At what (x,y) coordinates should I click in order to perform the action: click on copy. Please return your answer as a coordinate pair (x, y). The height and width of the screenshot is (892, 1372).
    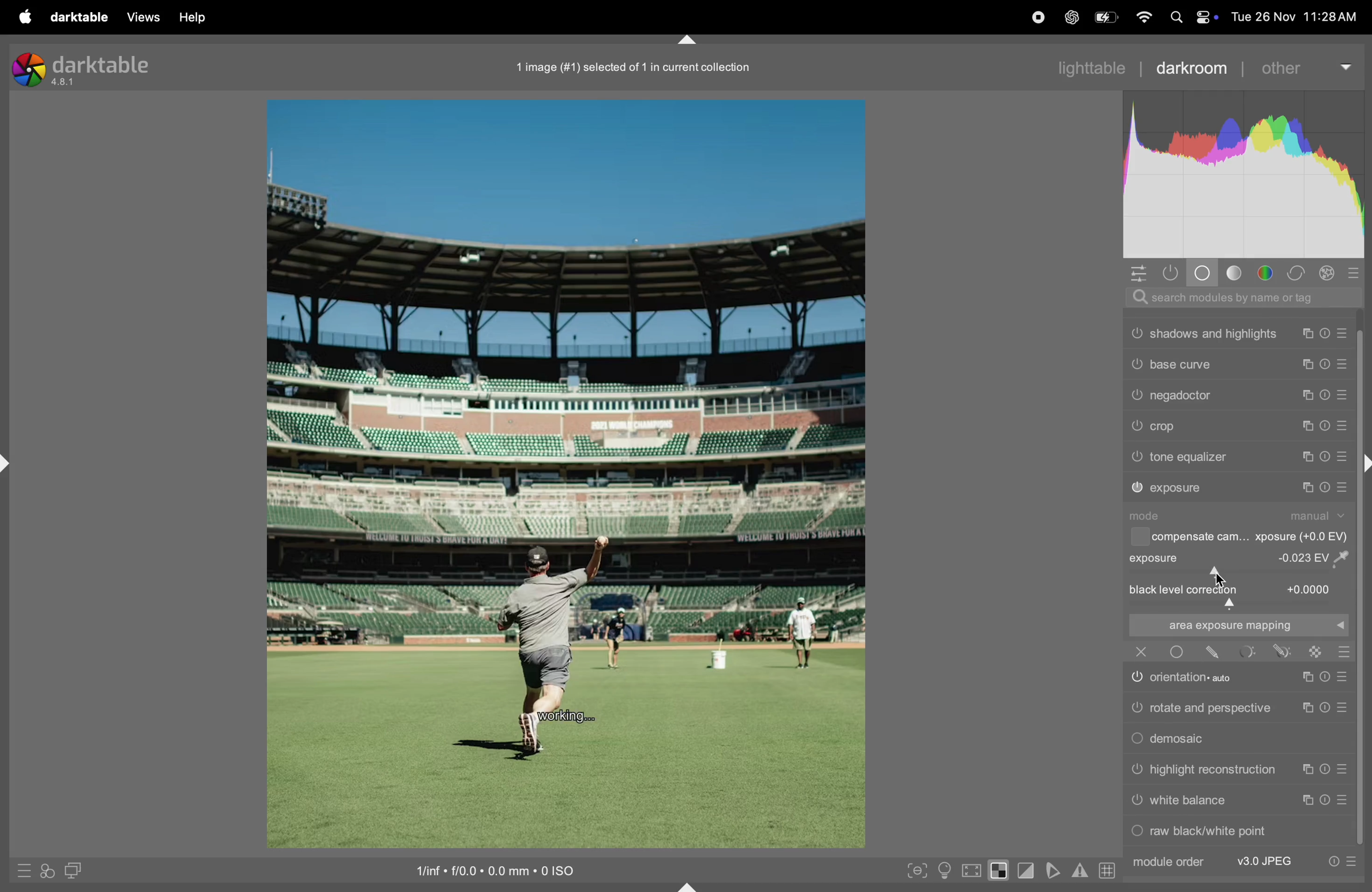
    Looking at the image, I should click on (1310, 395).